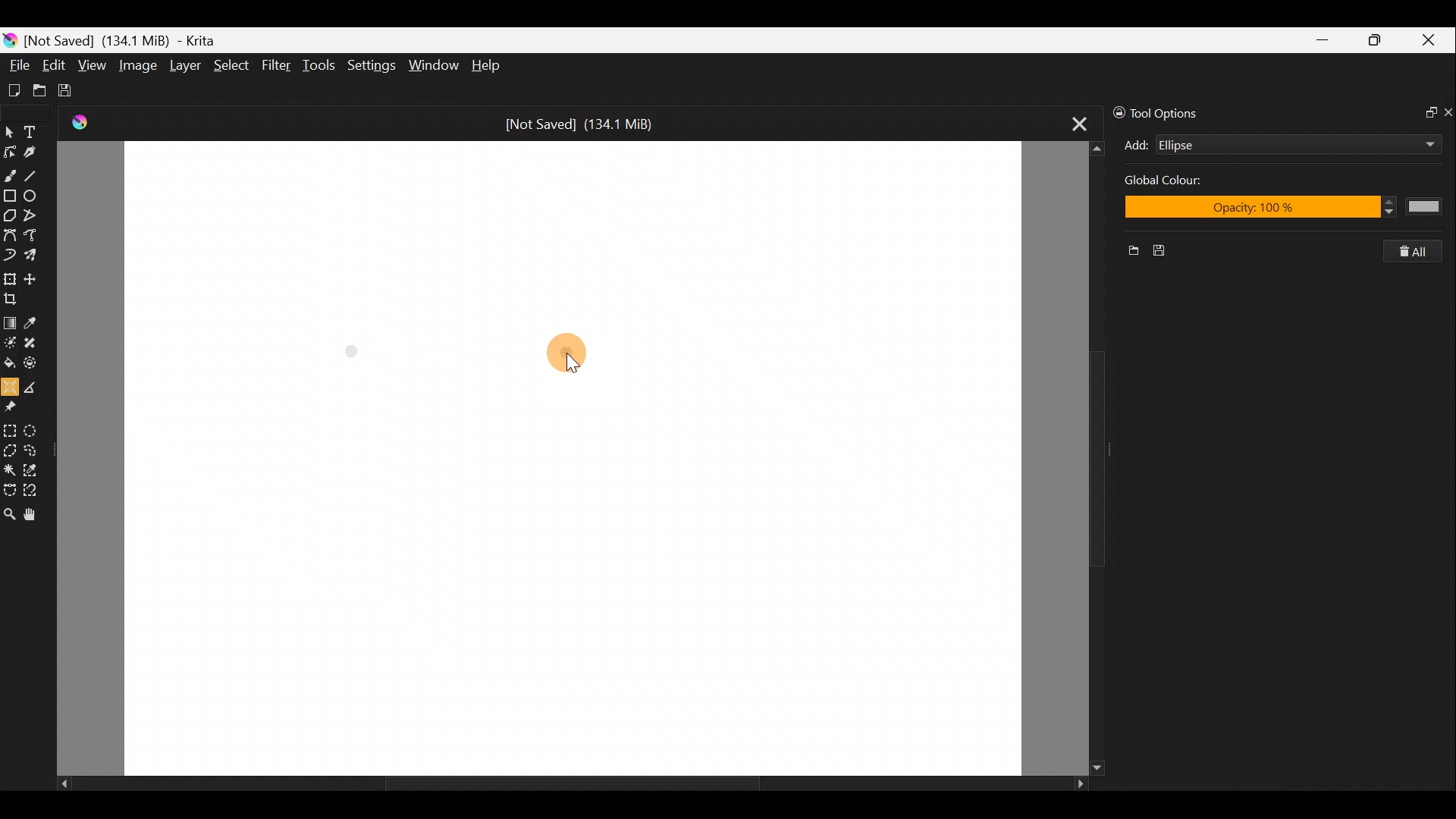 This screenshot has width=1456, height=819. What do you see at coordinates (36, 196) in the screenshot?
I see `Ellipse` at bounding box center [36, 196].